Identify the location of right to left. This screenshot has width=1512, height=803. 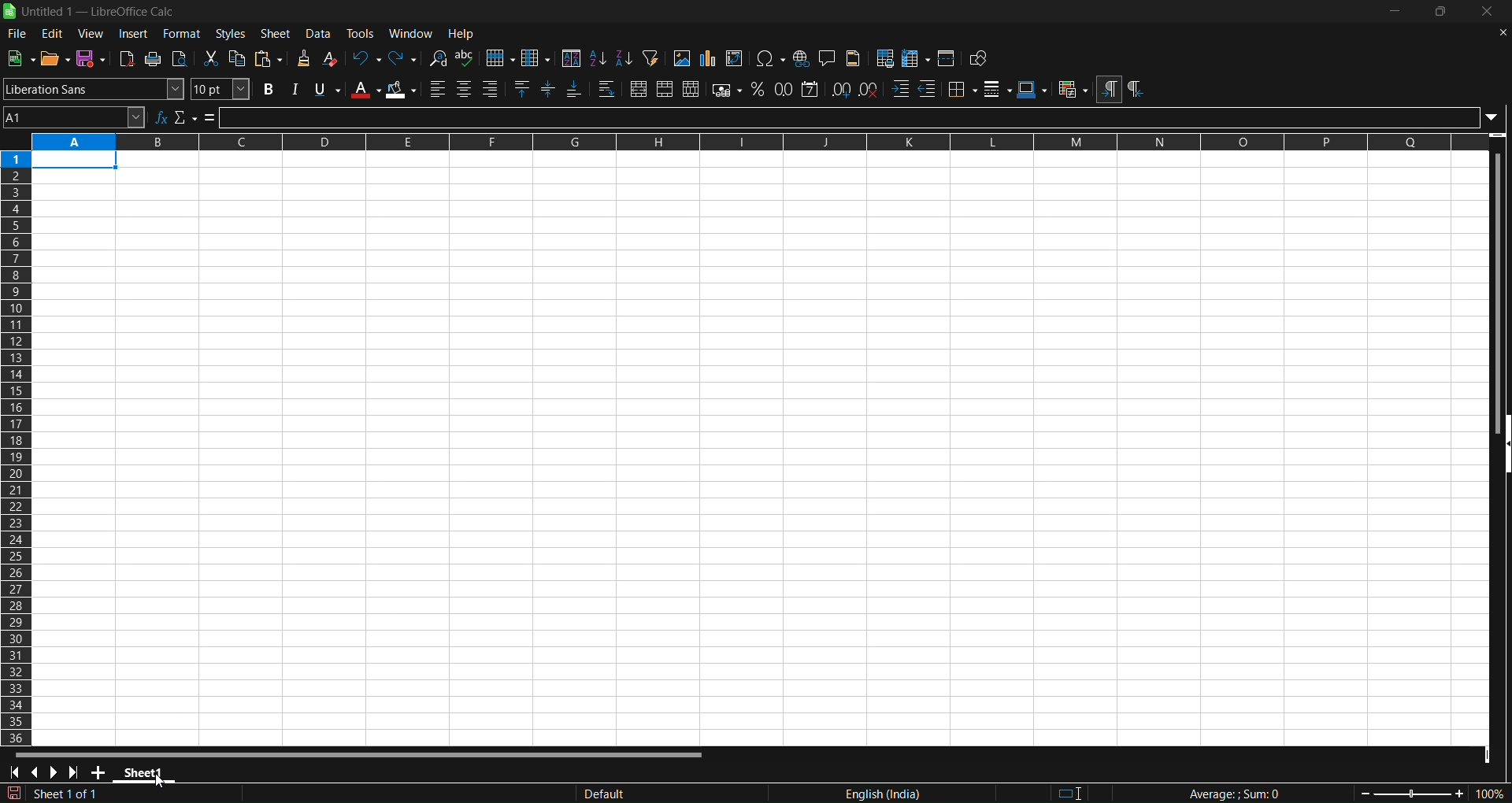
(1135, 90).